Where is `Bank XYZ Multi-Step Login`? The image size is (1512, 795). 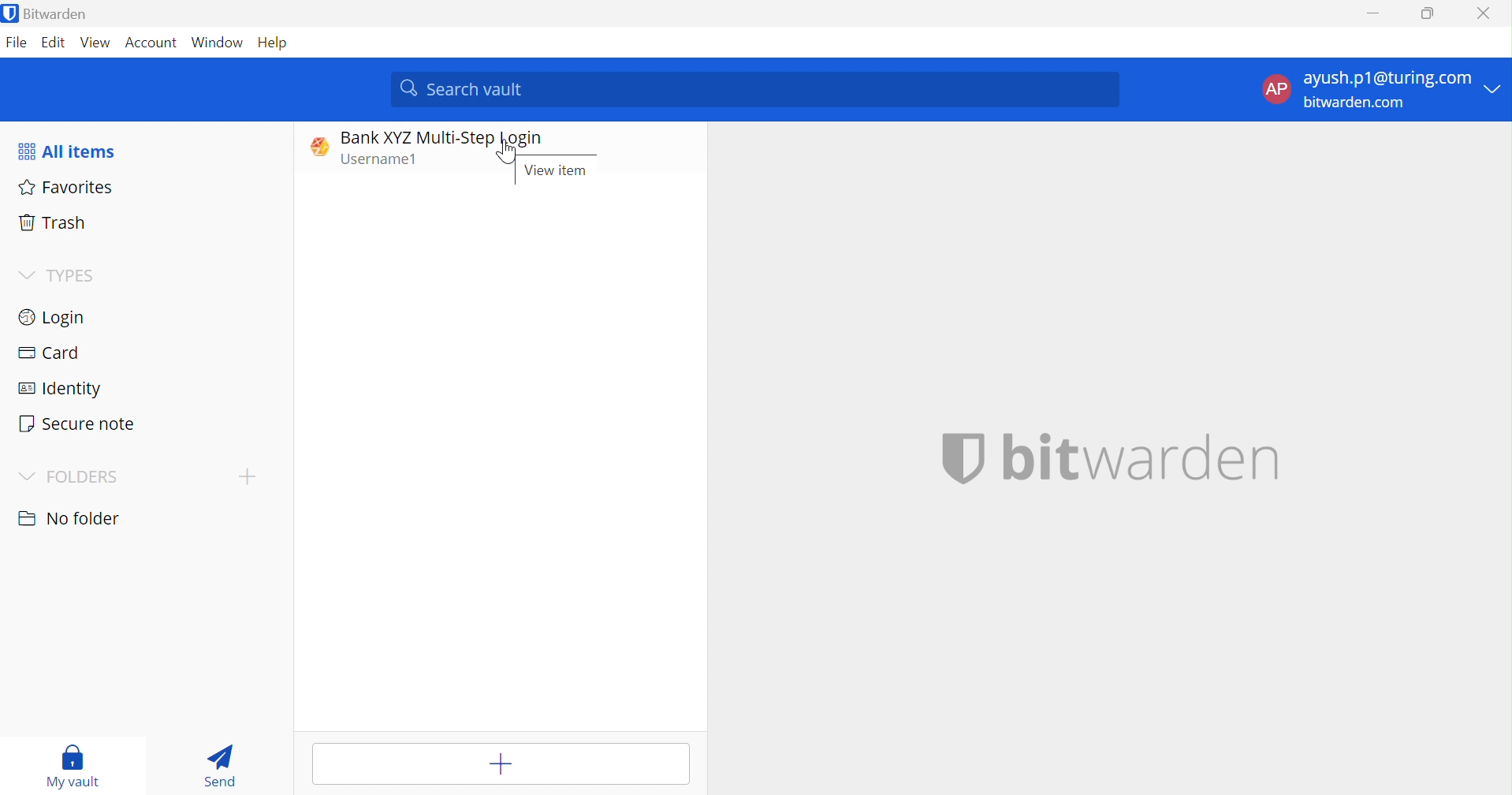 Bank XYZ Multi-Step Login is located at coordinates (441, 138).